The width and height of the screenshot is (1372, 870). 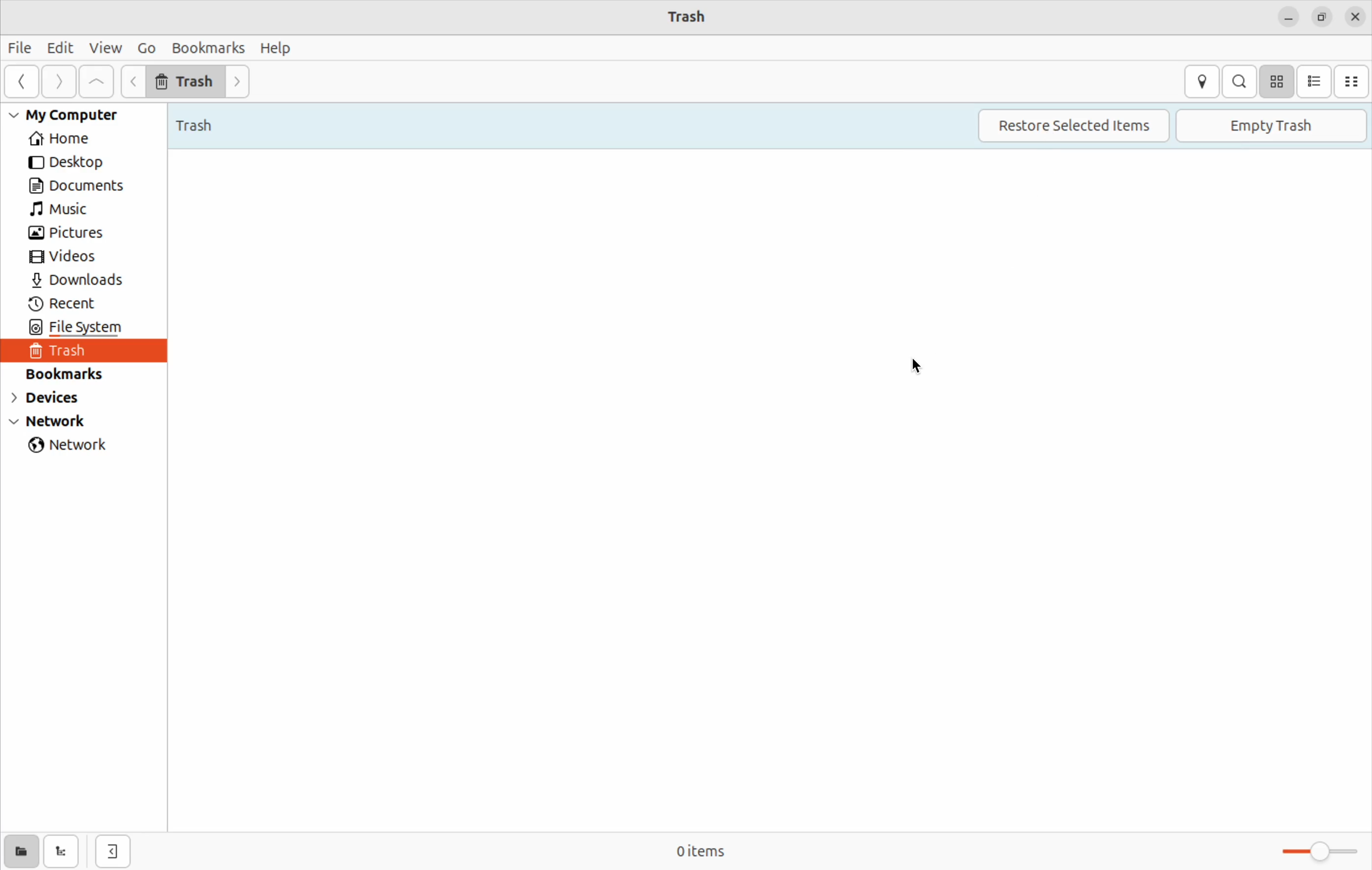 What do you see at coordinates (79, 139) in the screenshot?
I see `home` at bounding box center [79, 139].